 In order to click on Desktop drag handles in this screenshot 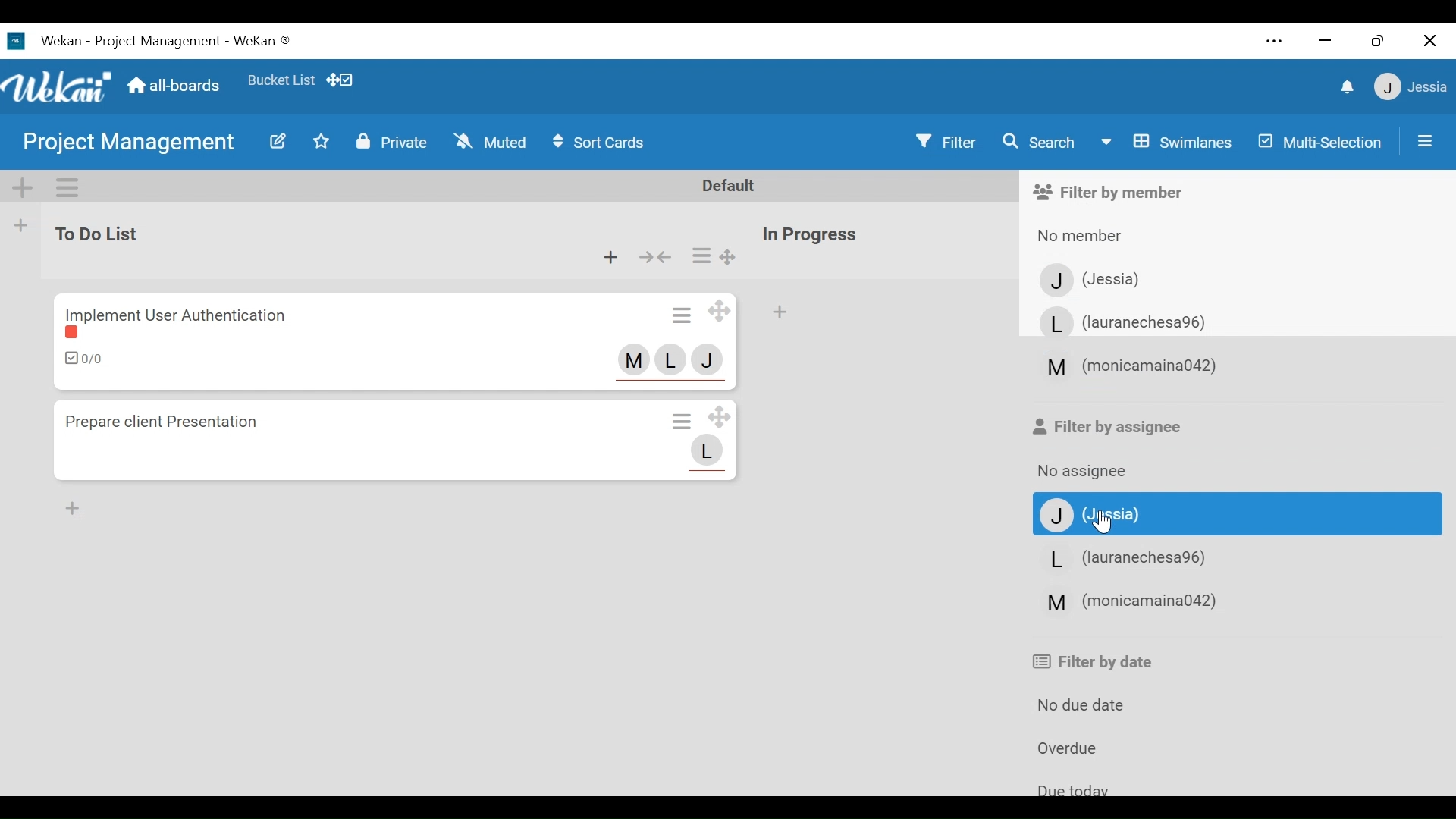, I will do `click(724, 313)`.